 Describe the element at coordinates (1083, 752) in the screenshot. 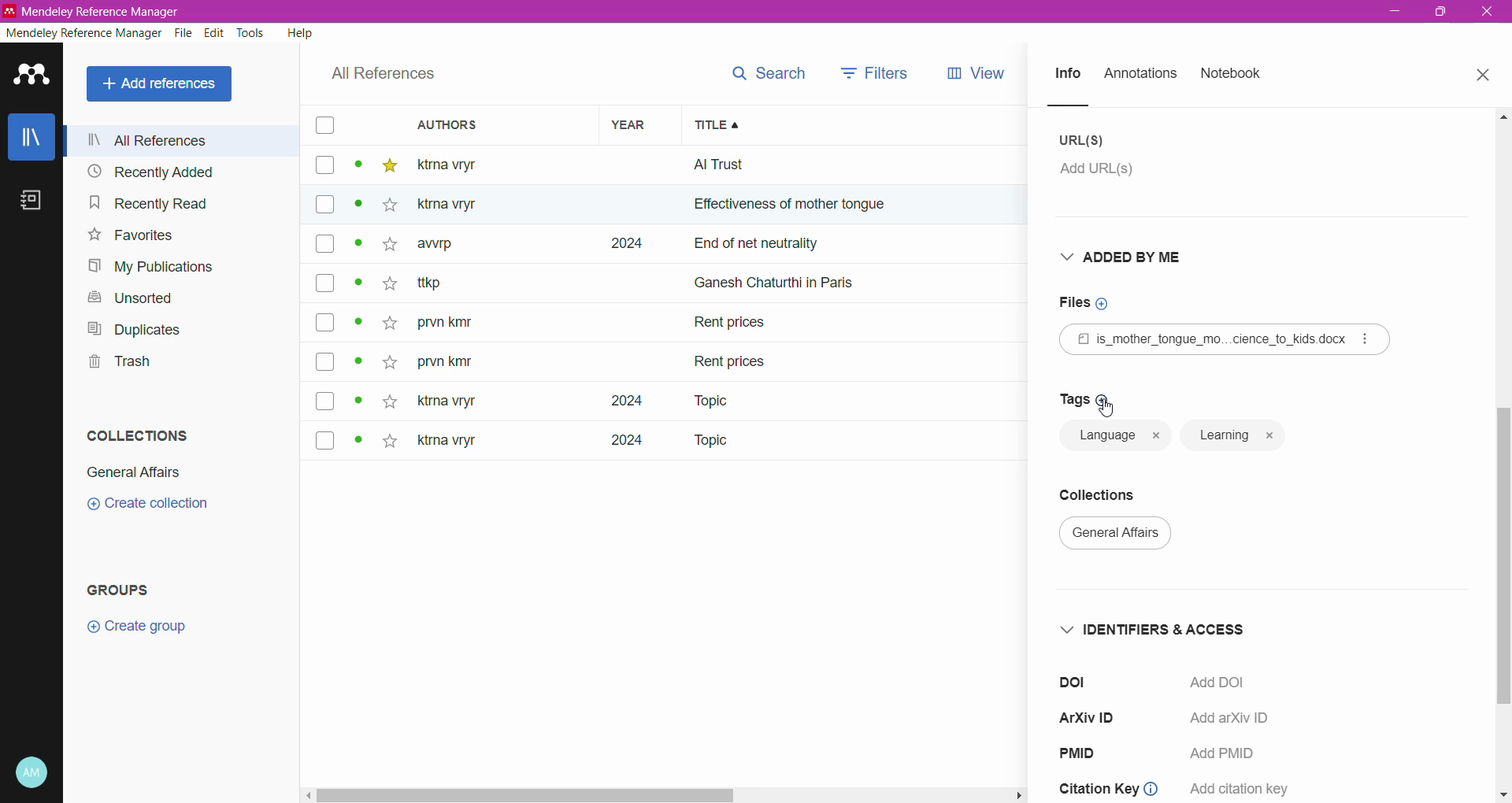

I see `PMID` at that location.